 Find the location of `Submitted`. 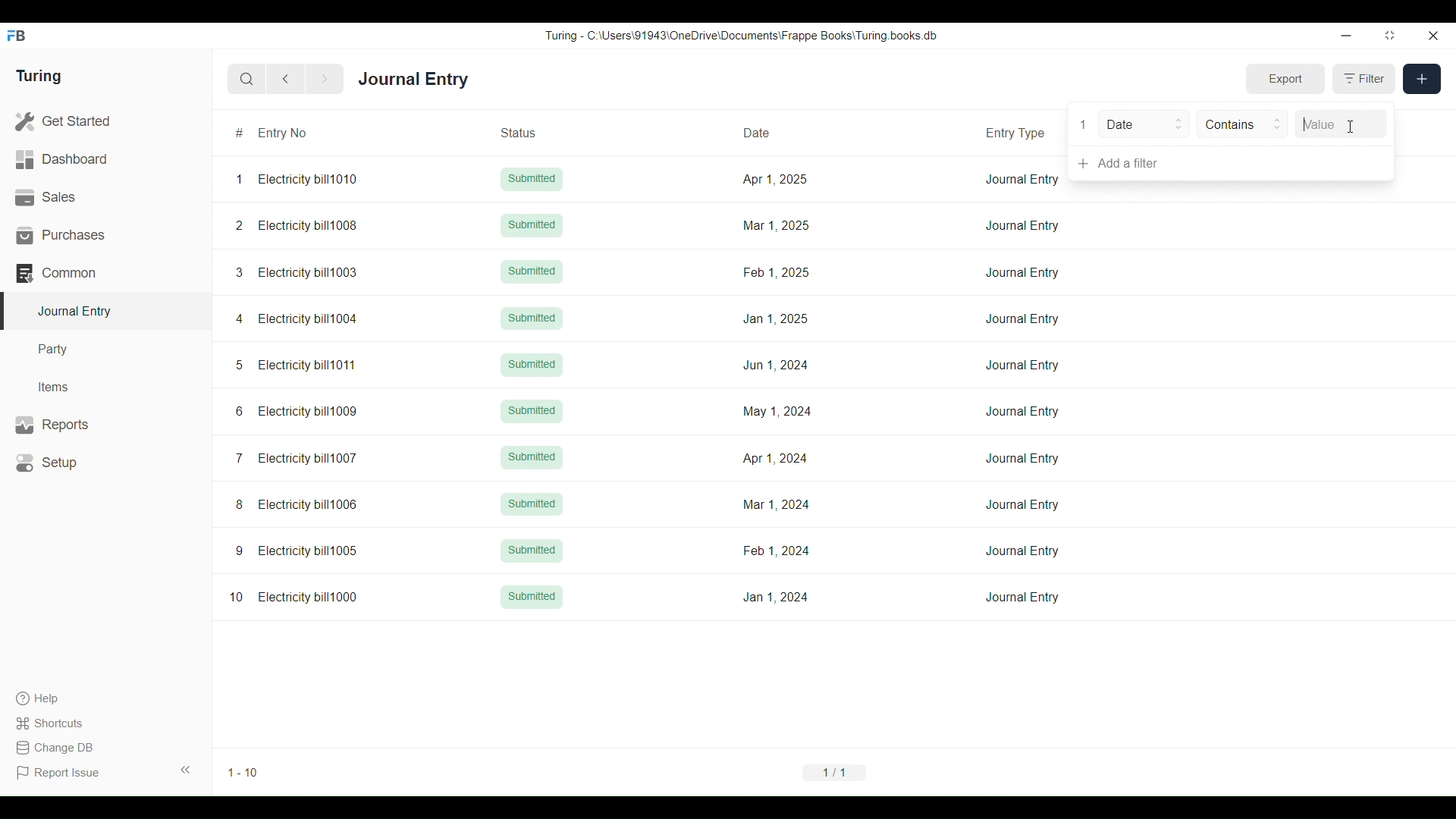

Submitted is located at coordinates (531, 503).